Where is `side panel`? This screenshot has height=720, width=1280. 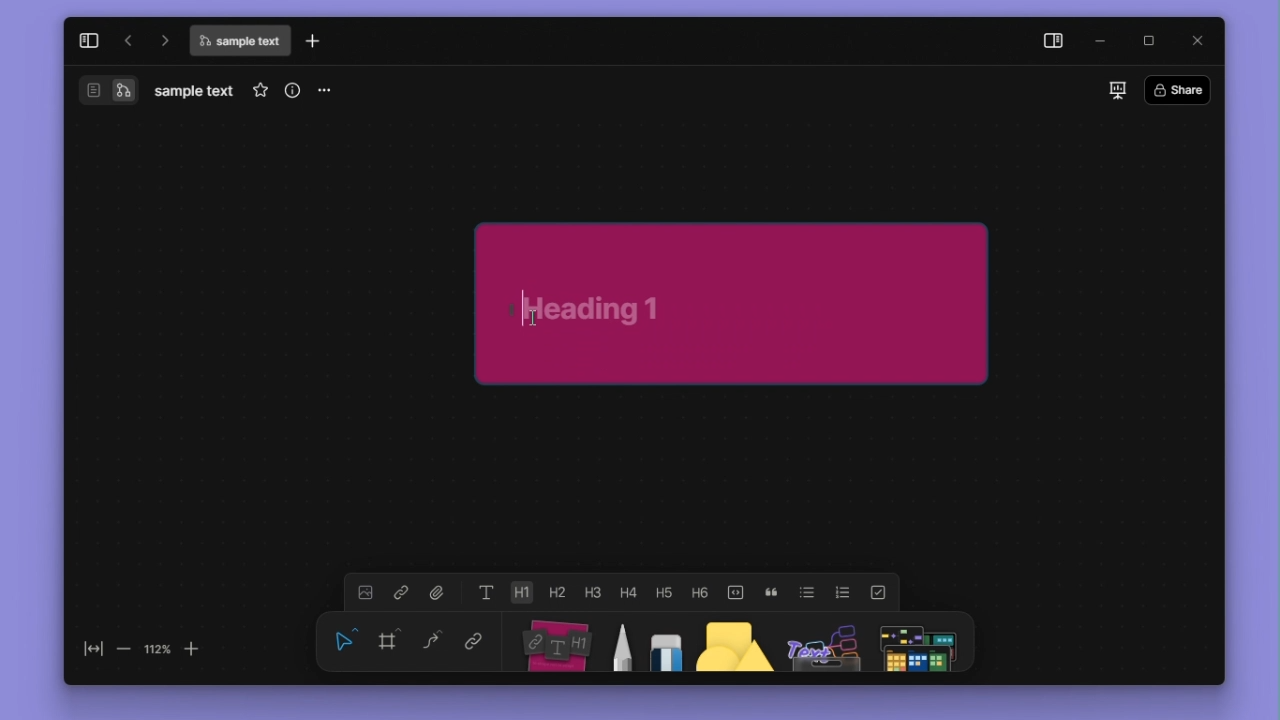 side panel is located at coordinates (1054, 42).